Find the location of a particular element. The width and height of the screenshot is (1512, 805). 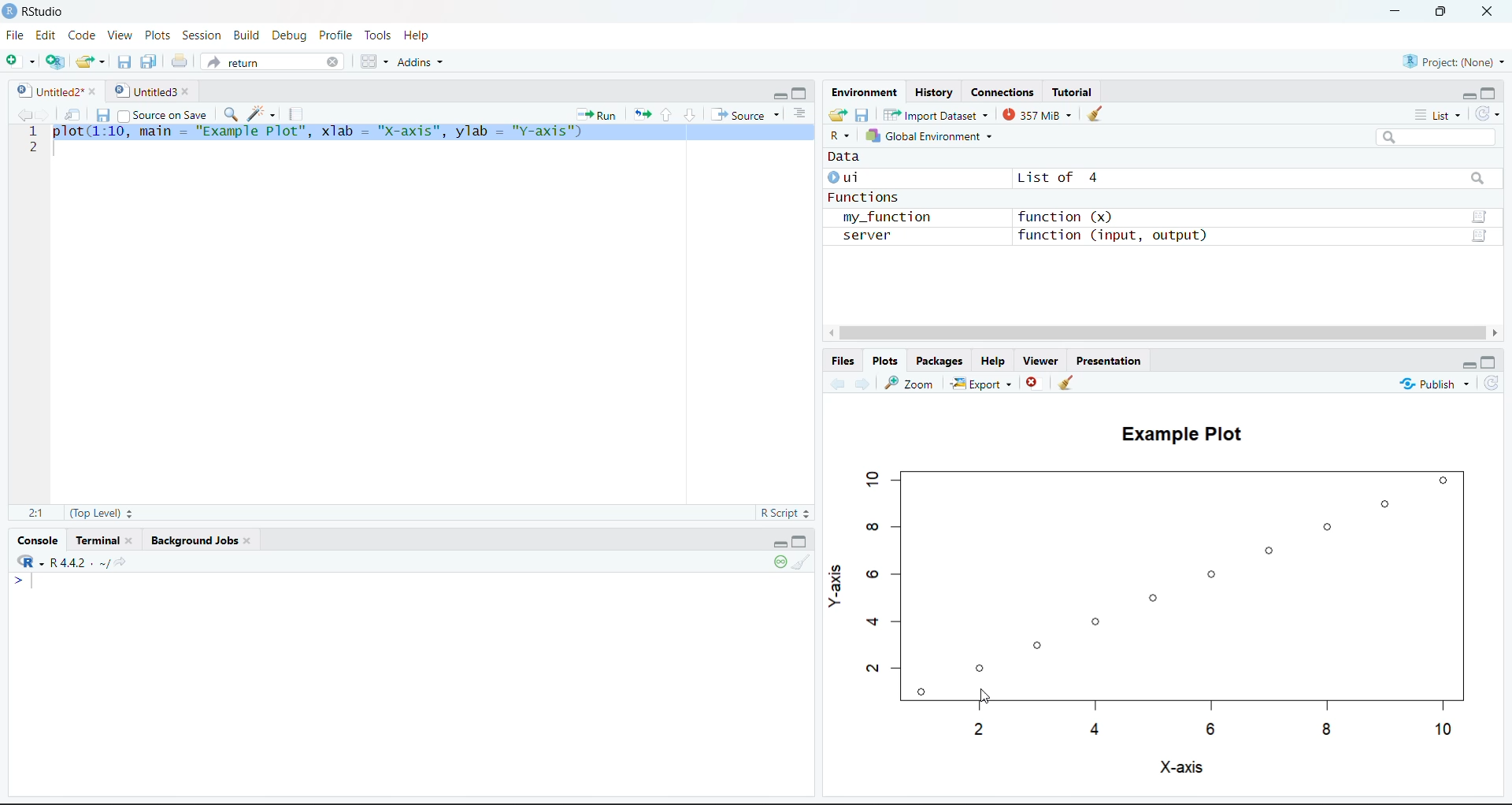

Maximize/Restore is located at coordinates (1443, 13).